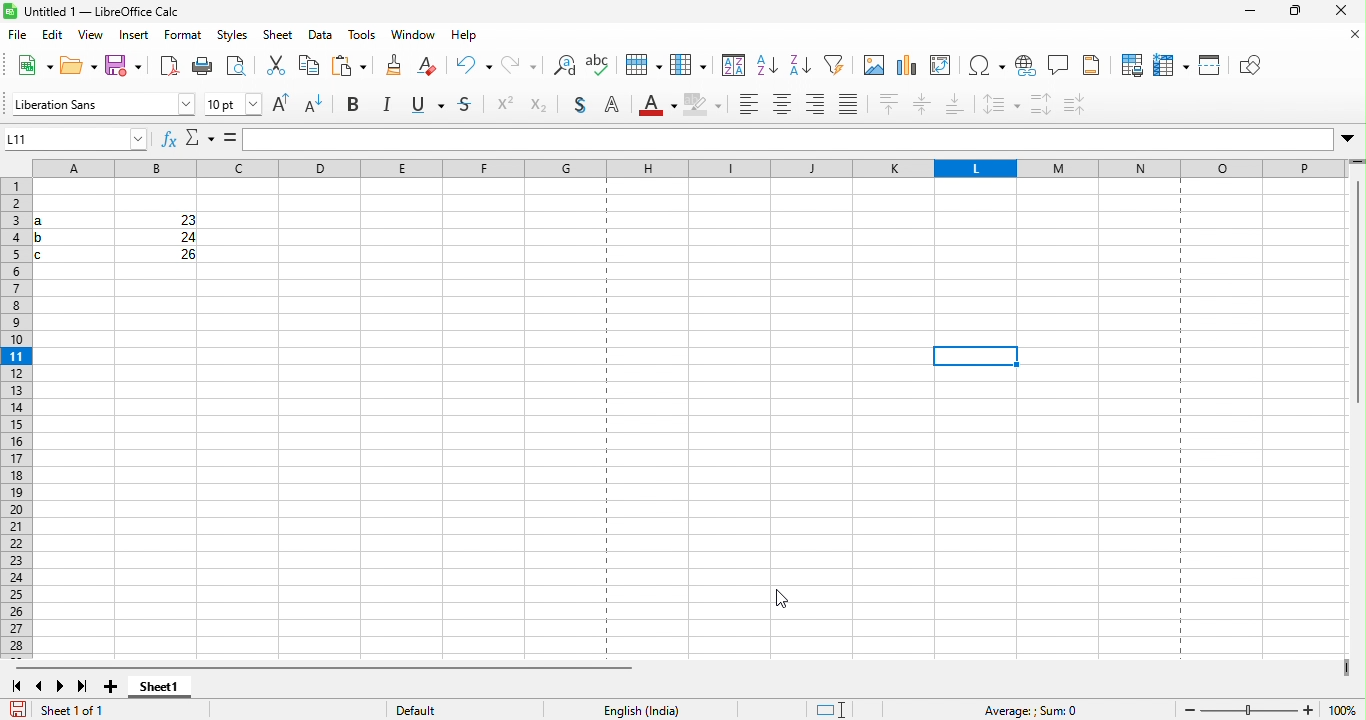 The image size is (1366, 720). Describe the element at coordinates (184, 39) in the screenshot. I see `format` at that location.